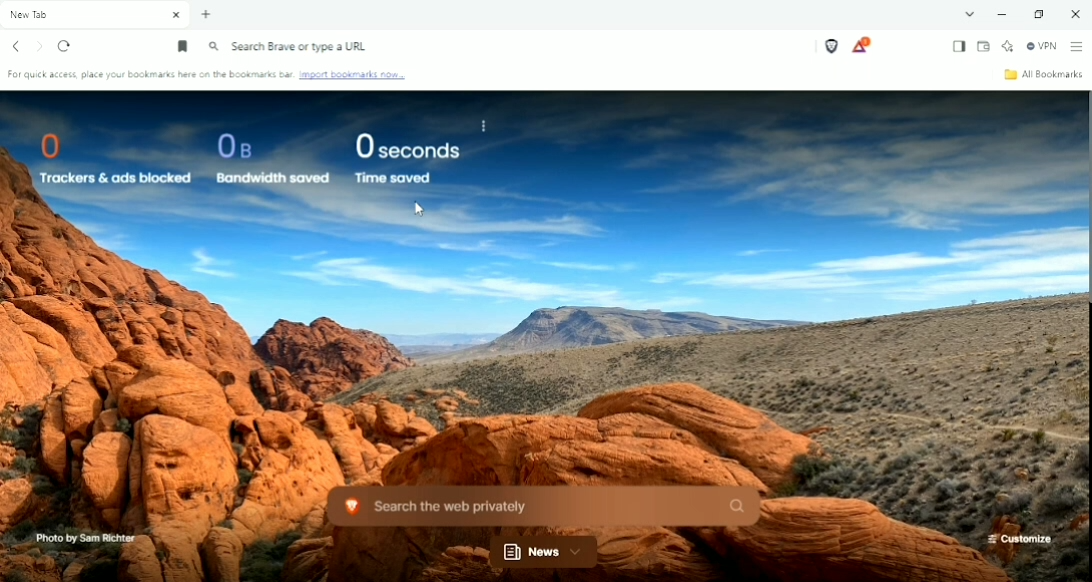  Describe the element at coordinates (545, 552) in the screenshot. I see `News` at that location.